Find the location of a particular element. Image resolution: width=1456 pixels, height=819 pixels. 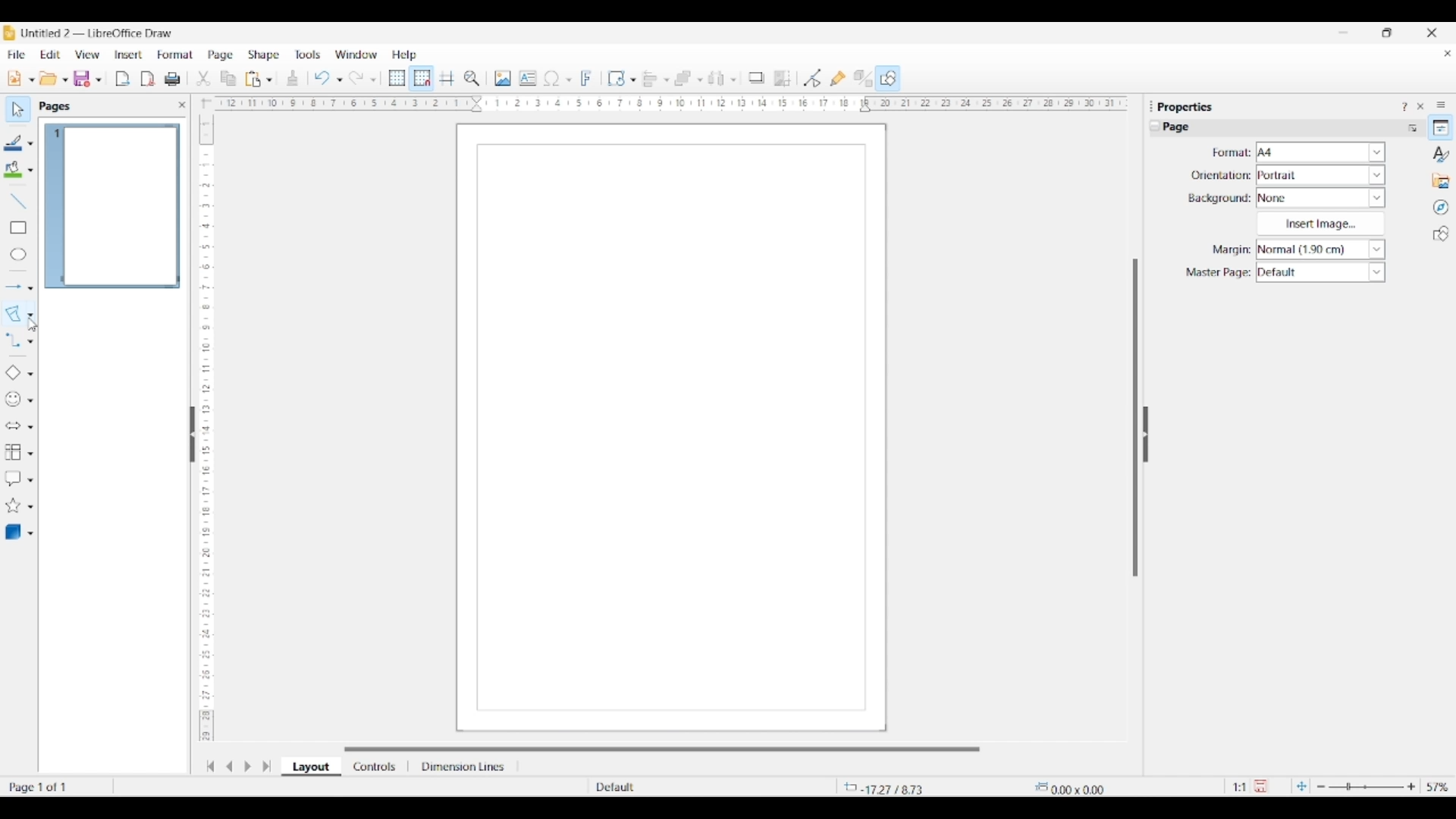

Selected arrangement is located at coordinates (683, 79).